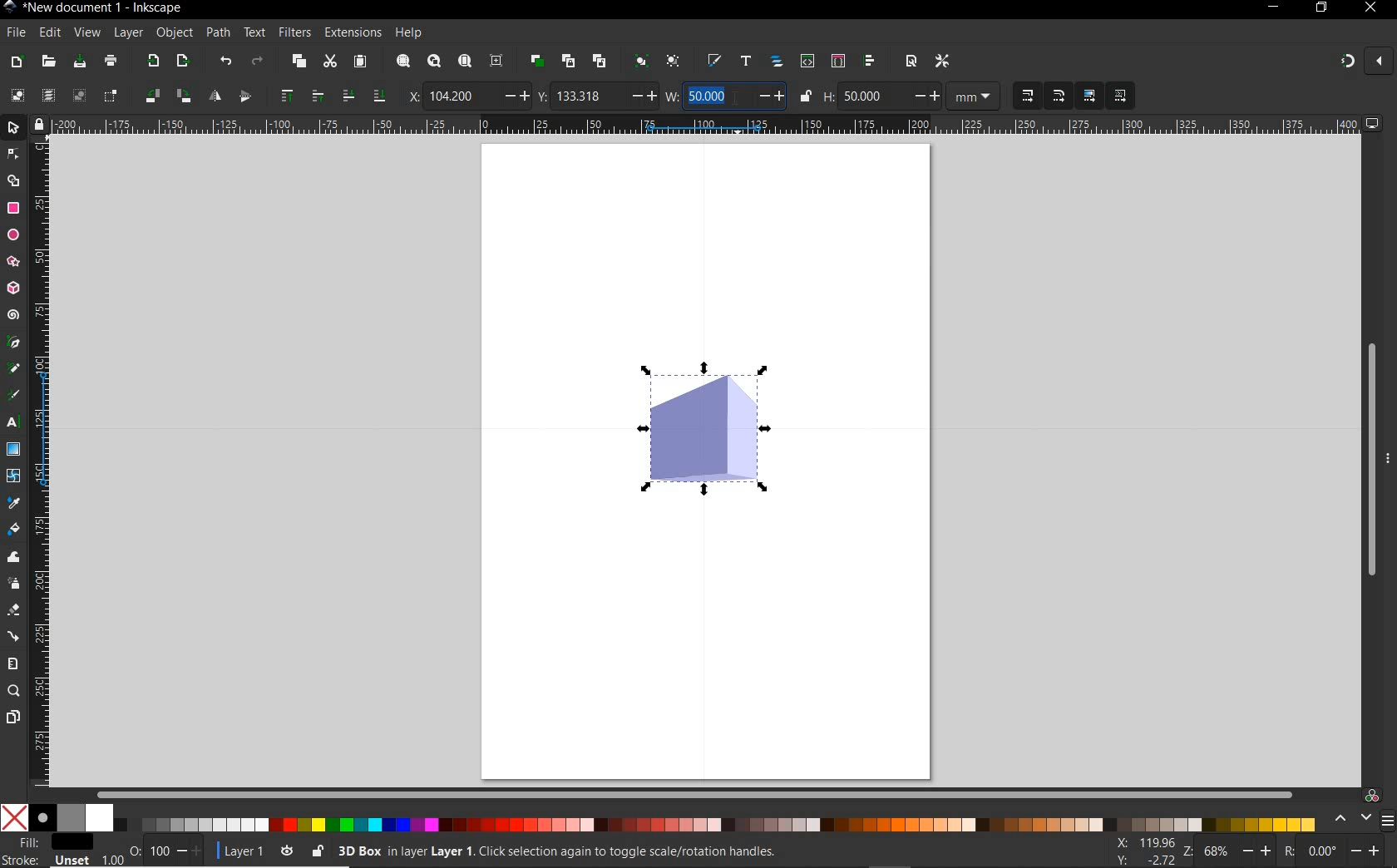 This screenshot has width=1397, height=868. What do you see at coordinates (716, 96) in the screenshot?
I see `50` at bounding box center [716, 96].